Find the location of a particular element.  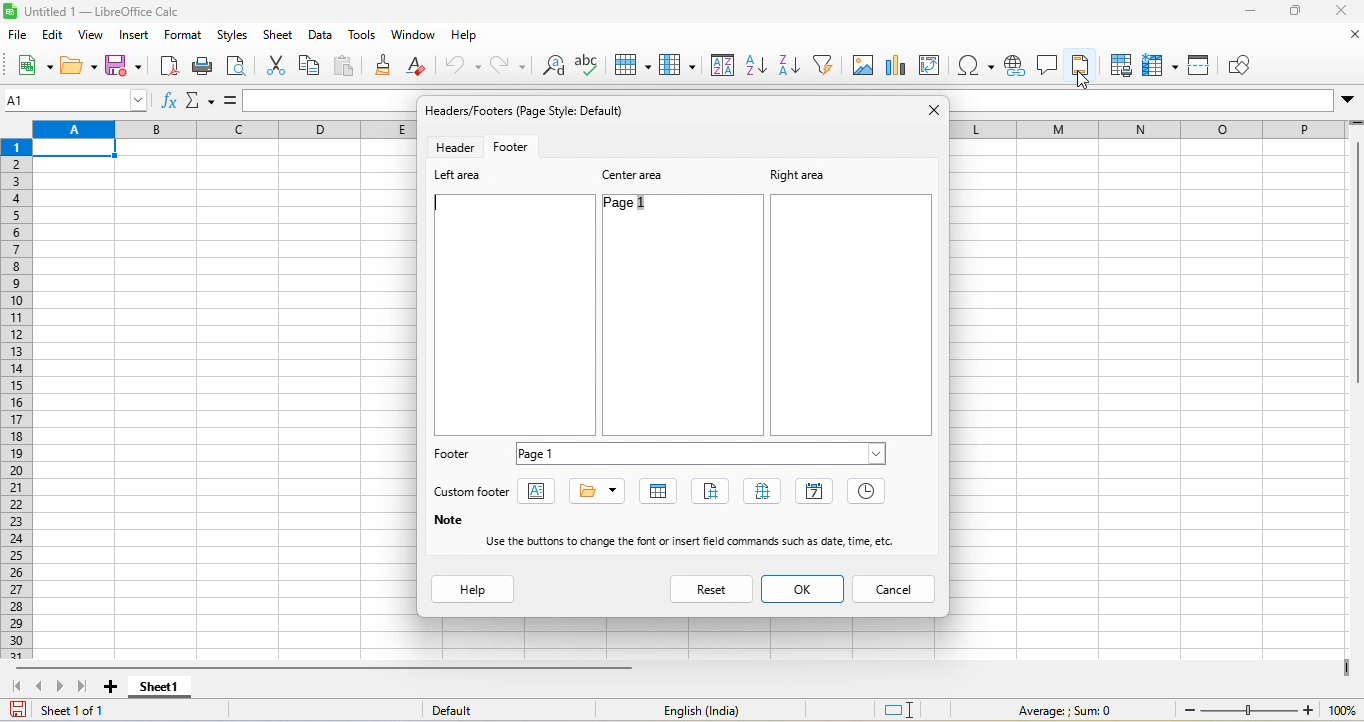

select function is located at coordinates (203, 101).